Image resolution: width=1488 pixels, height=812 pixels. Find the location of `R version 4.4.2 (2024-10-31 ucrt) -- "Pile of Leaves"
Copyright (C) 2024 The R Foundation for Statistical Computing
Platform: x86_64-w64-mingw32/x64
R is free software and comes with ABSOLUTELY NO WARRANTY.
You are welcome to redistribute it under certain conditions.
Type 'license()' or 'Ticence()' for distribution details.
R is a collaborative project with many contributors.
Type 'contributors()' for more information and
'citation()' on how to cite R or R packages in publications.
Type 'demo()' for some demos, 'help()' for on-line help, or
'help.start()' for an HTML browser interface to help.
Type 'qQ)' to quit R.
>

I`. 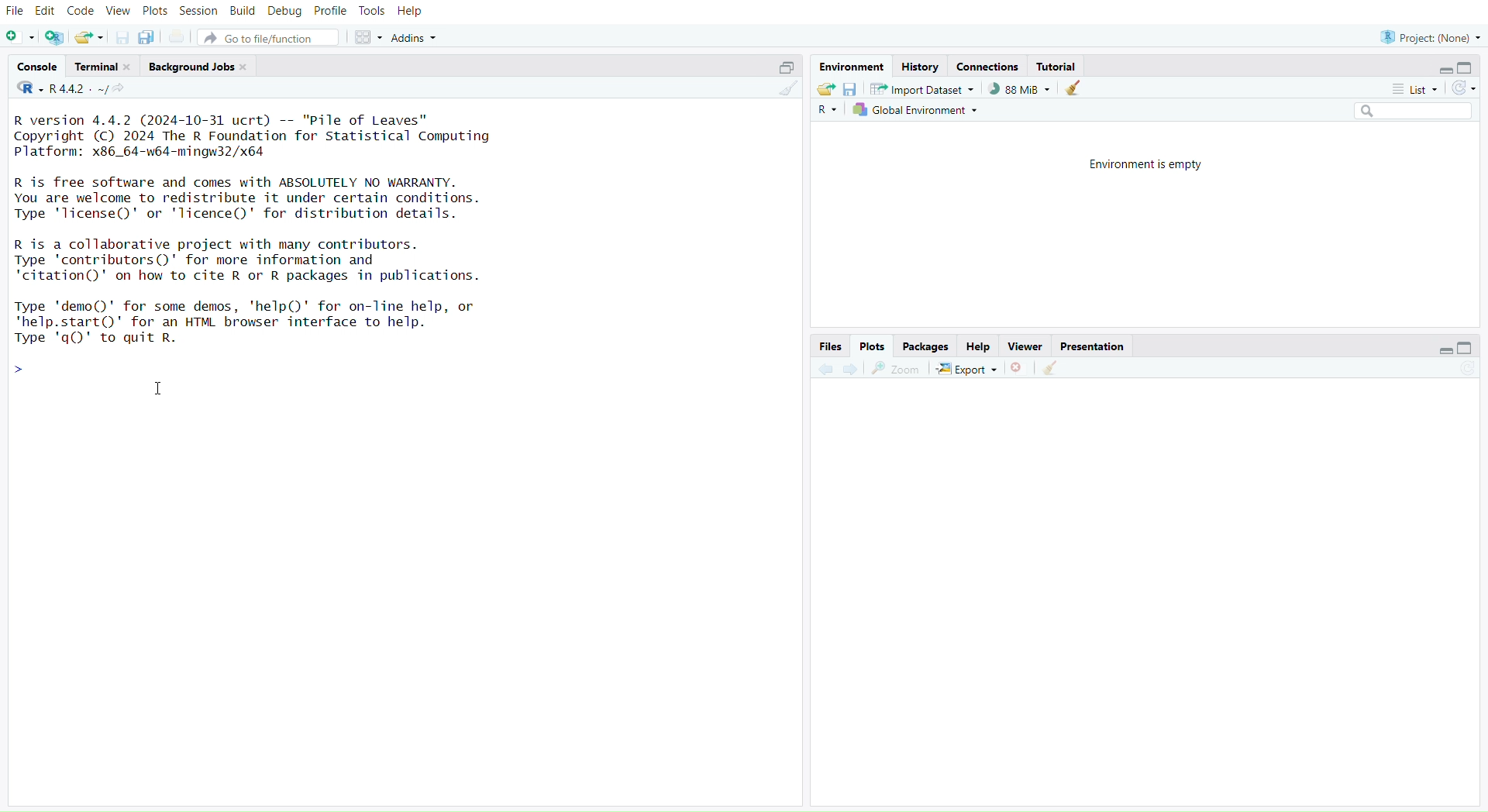

R version 4.4.2 (2024-10-31 ucrt) -- "Pile of Leaves"
Copyright (C) 2024 The R Foundation for Statistical Computing
Platform: x86_64-w64-mingw32/x64
R is free software and comes with ABSOLUTELY NO WARRANTY.
You are welcome to redistribute it under certain conditions.
Type 'license()' or 'Ticence()' for distribution details.
R is a collaborative project with many contributors.
Type 'contributors()' for more information and
'citation()' on how to cite R or R packages in publications.
Type 'demo()' for some demos, 'help()' for on-line help, or
'help.start()' for an HTML browser interface to help.
Type 'qQ)' to quit R.
>

I is located at coordinates (264, 243).